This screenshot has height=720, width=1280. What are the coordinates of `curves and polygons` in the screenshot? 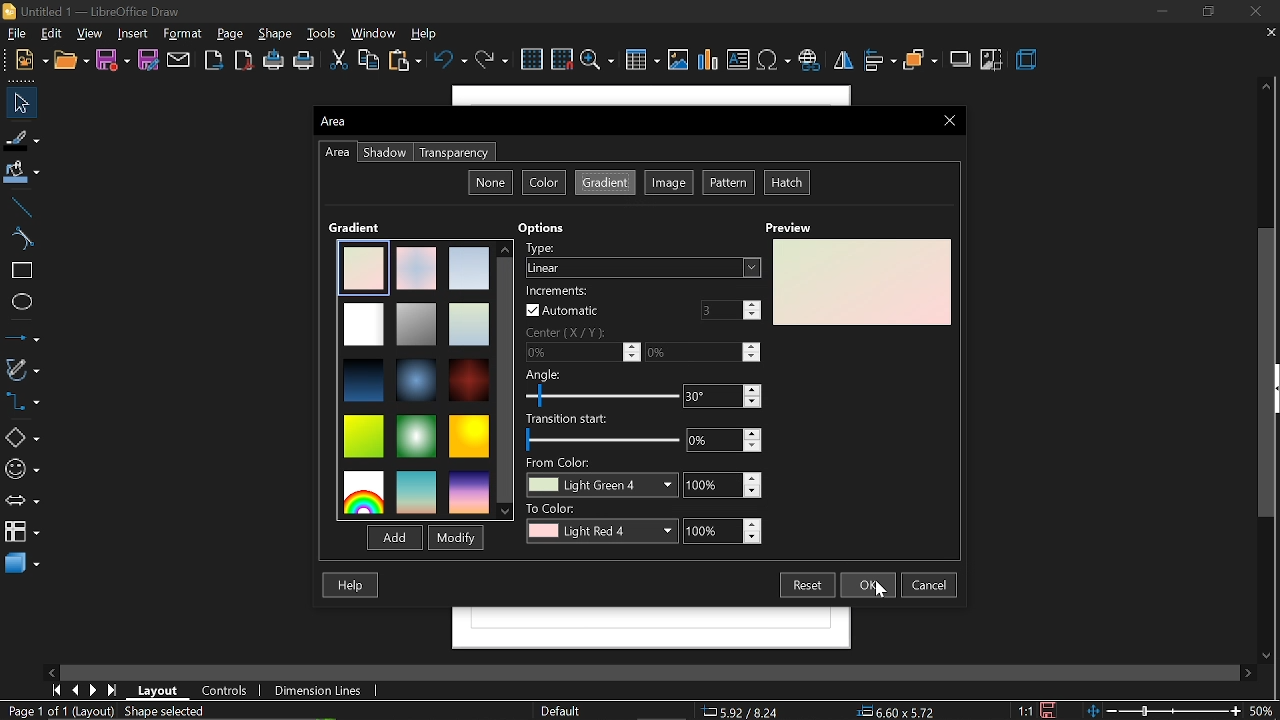 It's located at (22, 370).